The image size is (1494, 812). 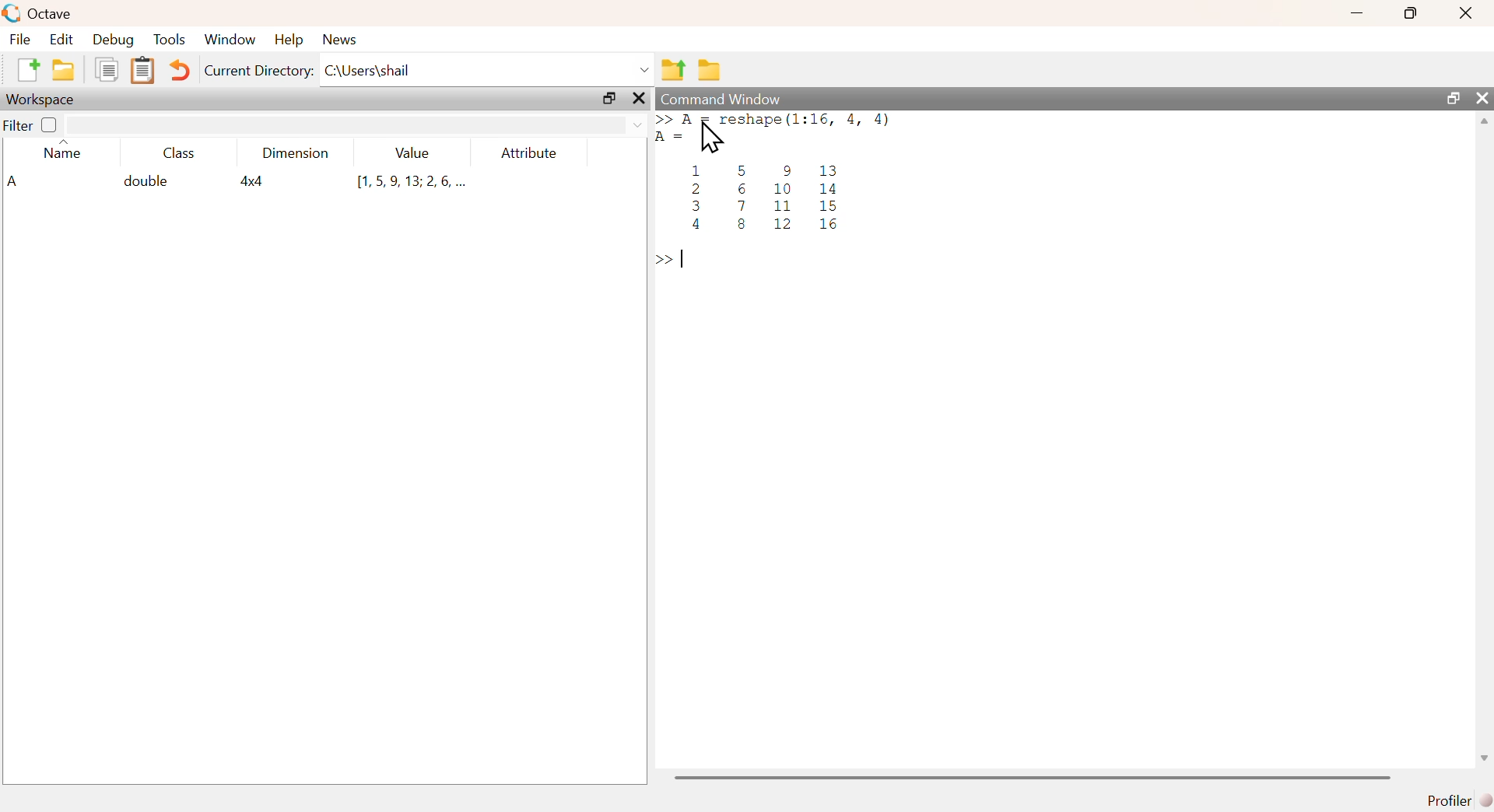 I want to click on minimize, so click(x=1355, y=15).